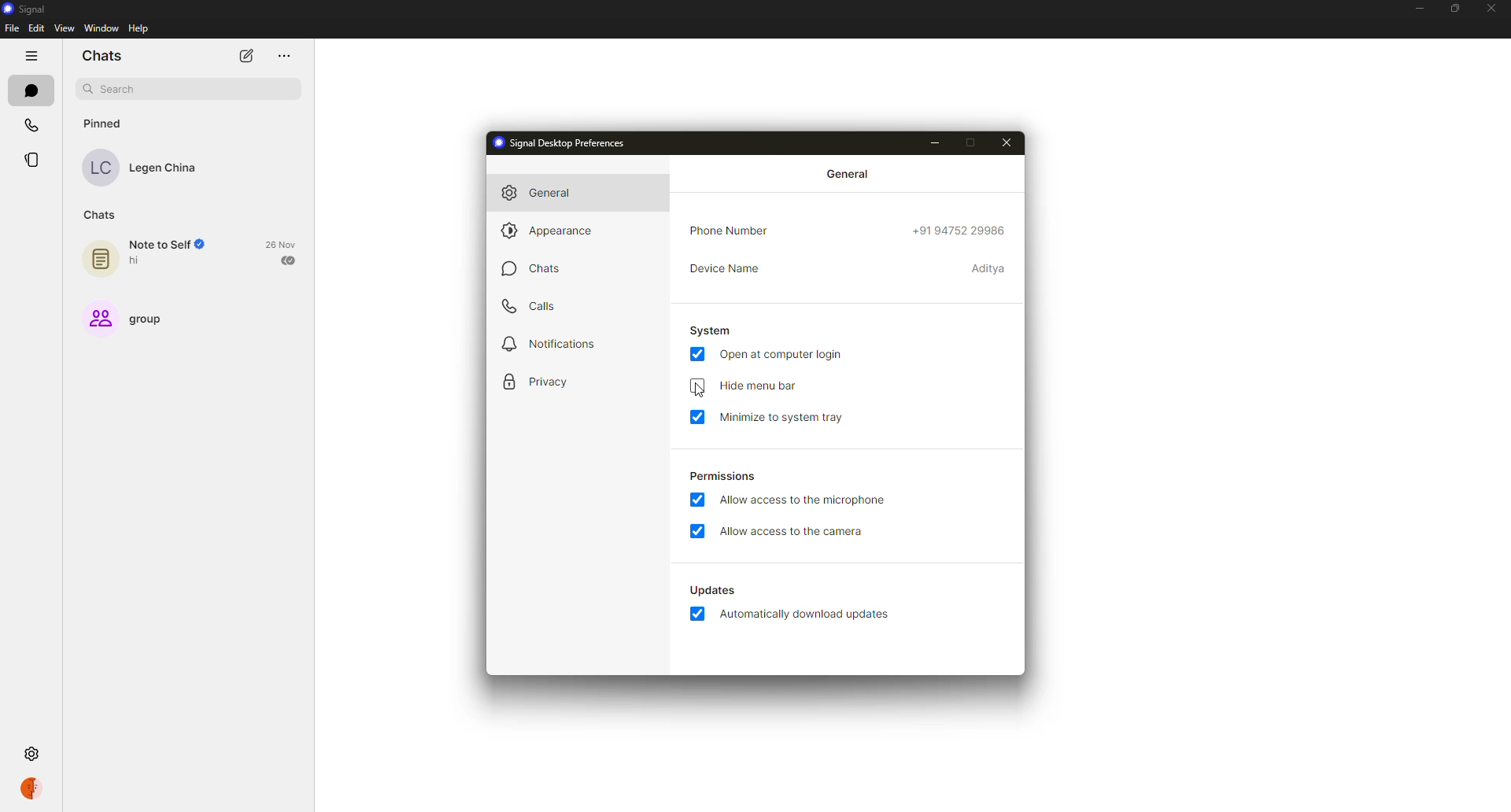  What do you see at coordinates (696, 500) in the screenshot?
I see `enabled` at bounding box center [696, 500].